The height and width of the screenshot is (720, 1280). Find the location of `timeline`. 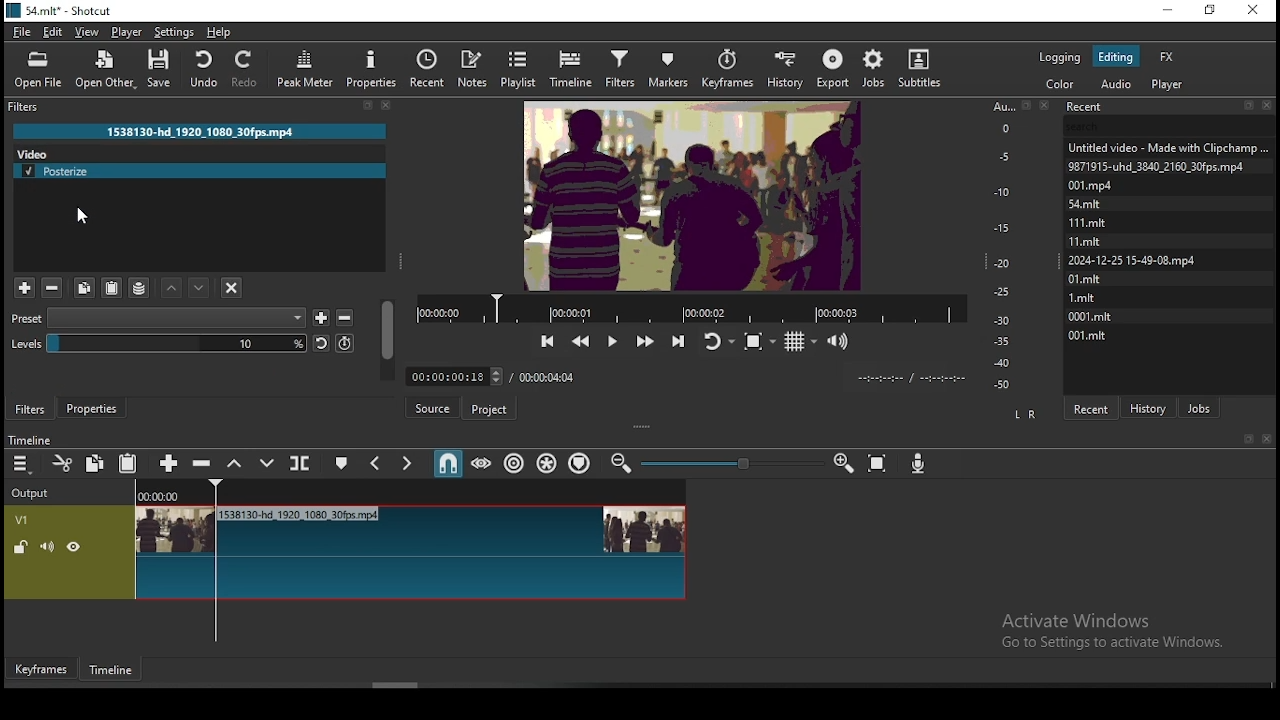

timeline is located at coordinates (115, 672).